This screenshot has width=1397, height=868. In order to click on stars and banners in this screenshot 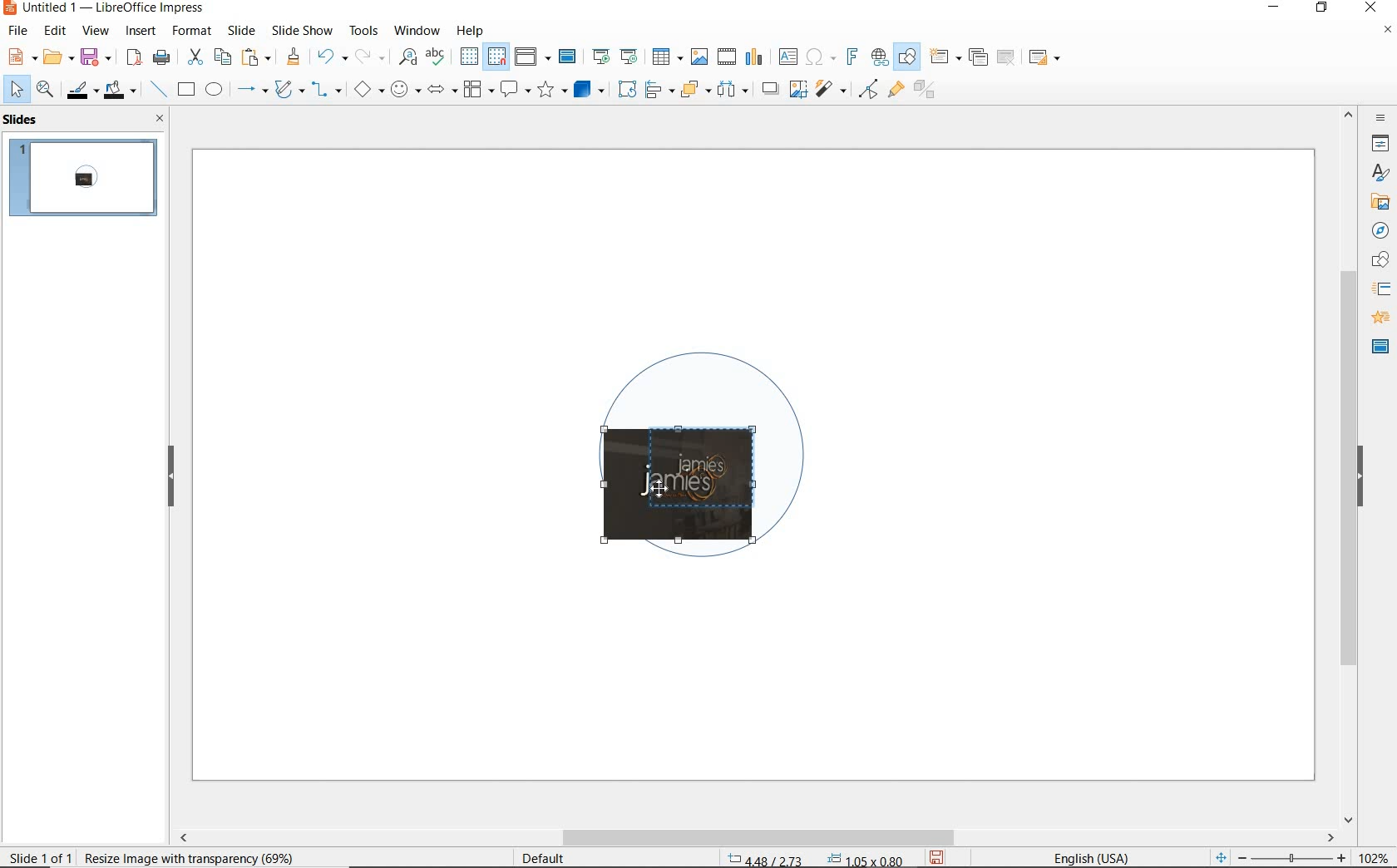, I will do `click(551, 91)`.